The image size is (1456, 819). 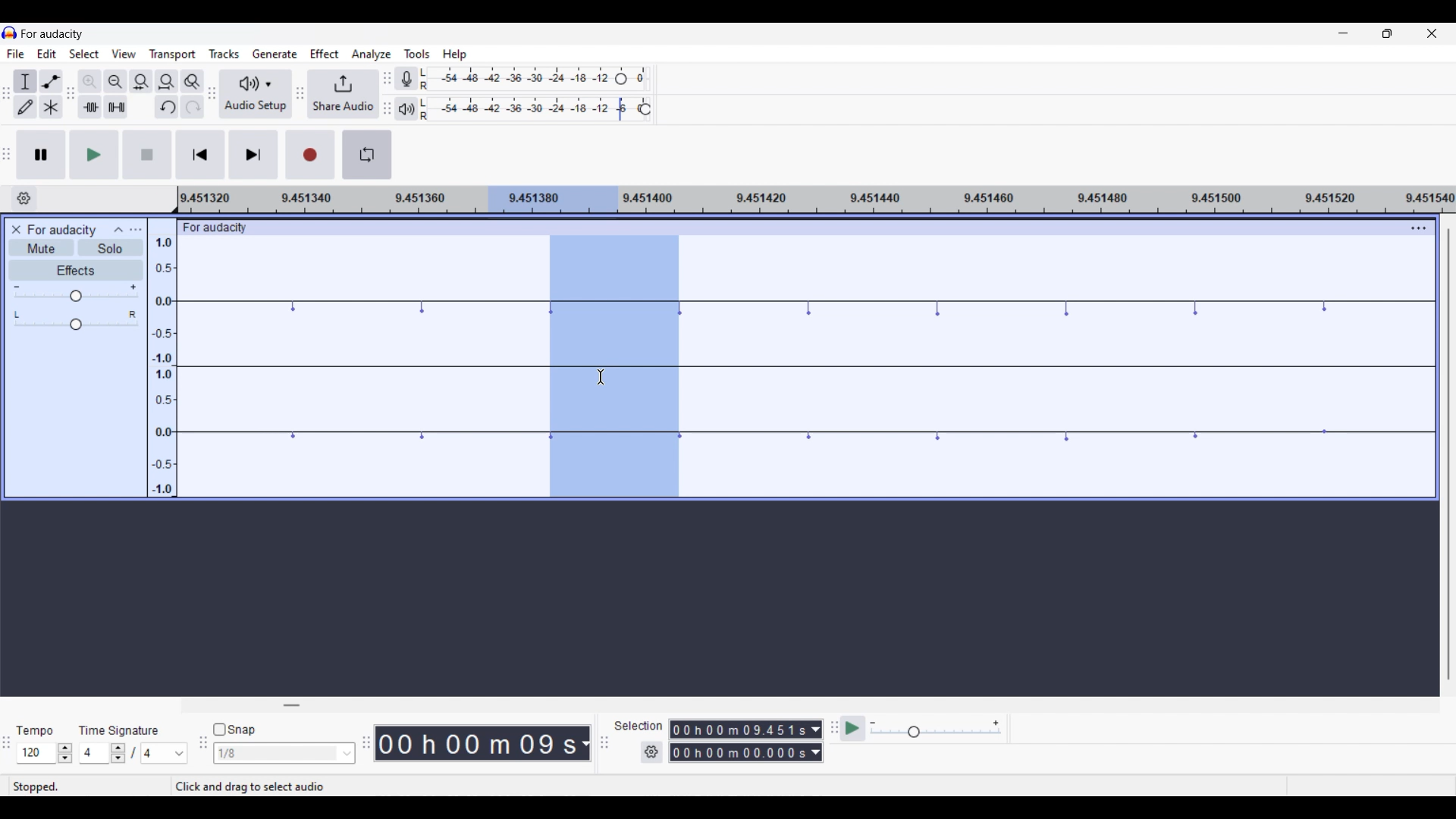 What do you see at coordinates (24, 199) in the screenshot?
I see `Timeline options` at bounding box center [24, 199].